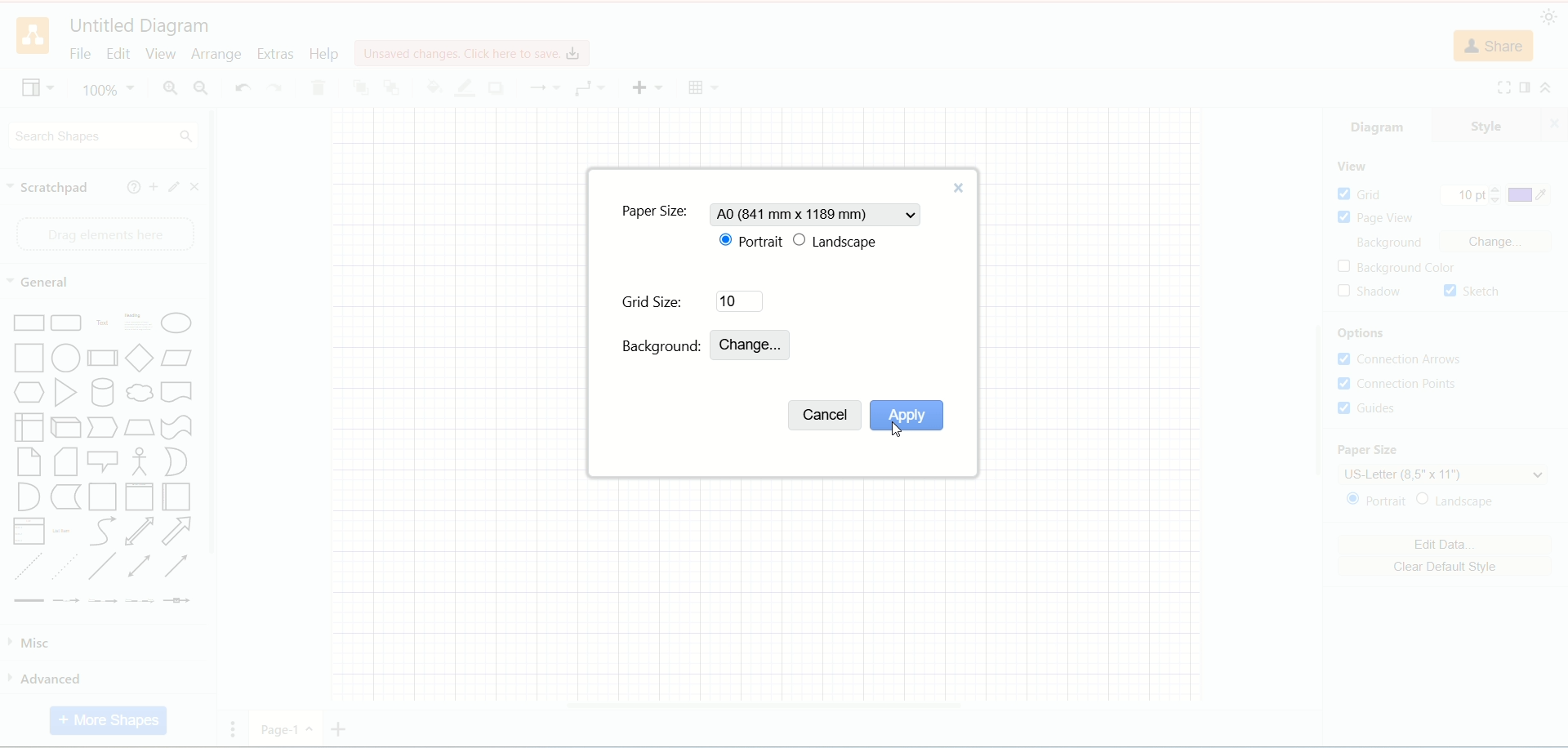  I want to click on waypoint, so click(544, 87).